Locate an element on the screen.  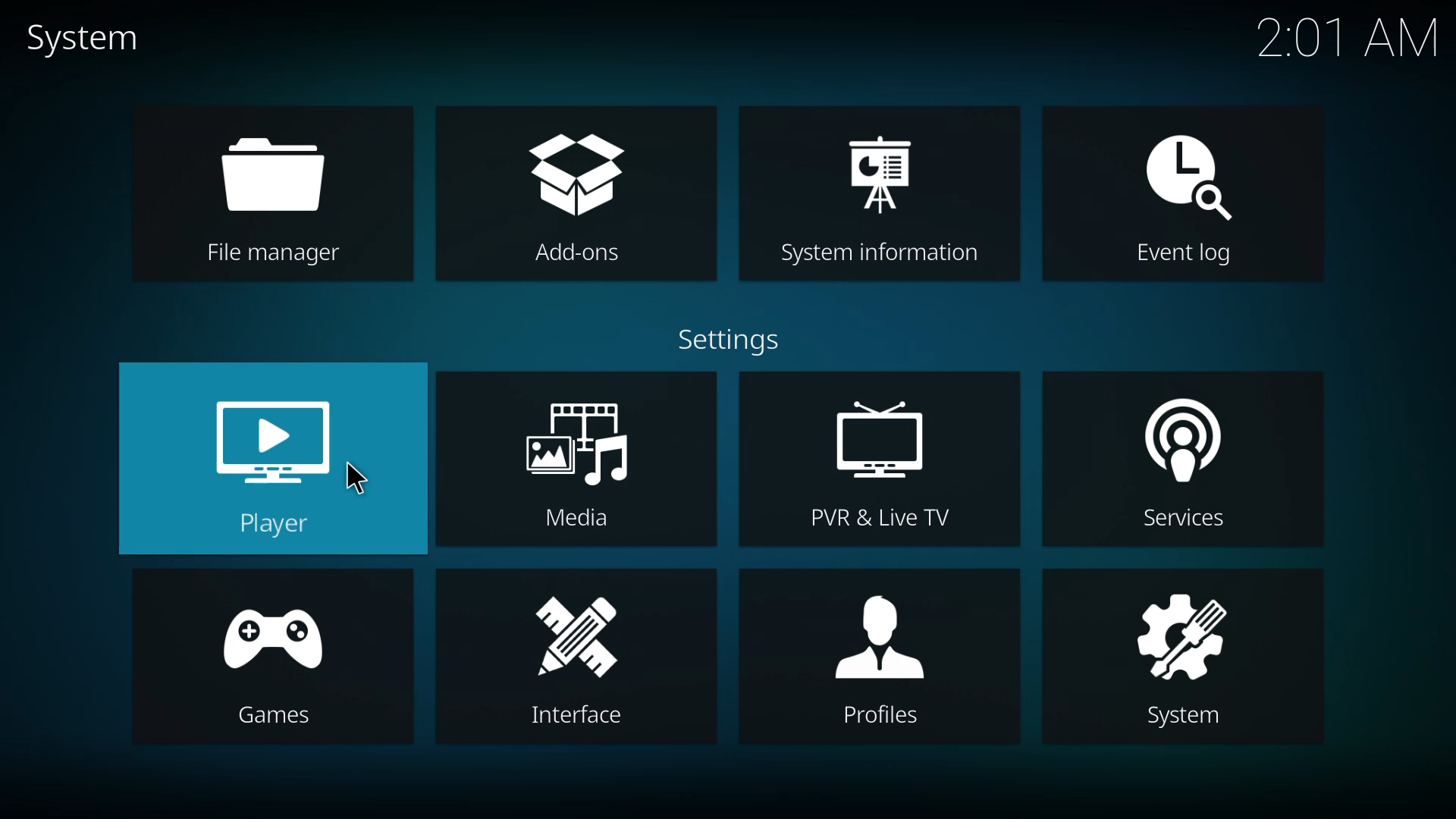
media is located at coordinates (573, 455).